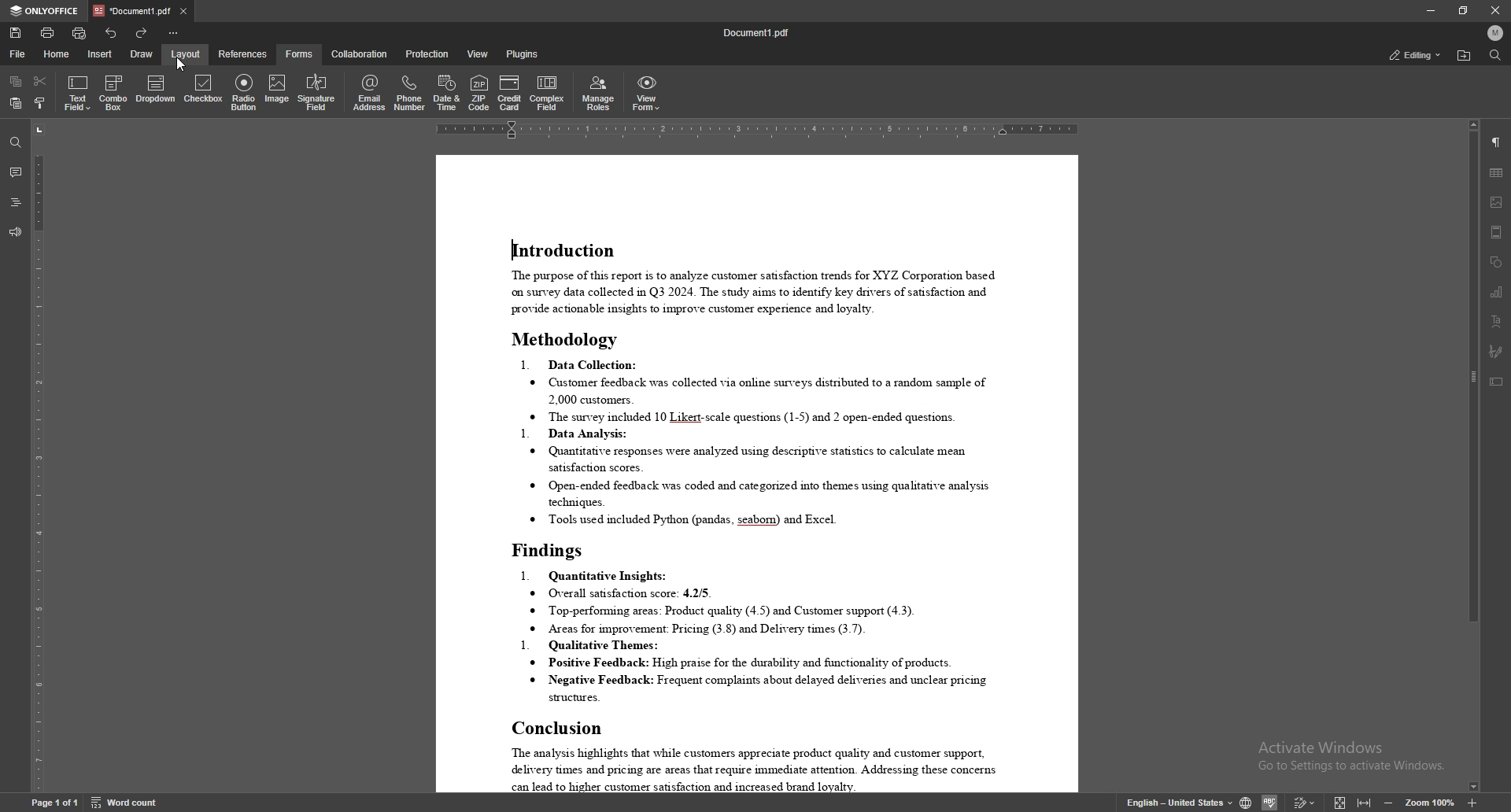  Describe the element at coordinates (758, 474) in the screenshot. I see `document` at that location.